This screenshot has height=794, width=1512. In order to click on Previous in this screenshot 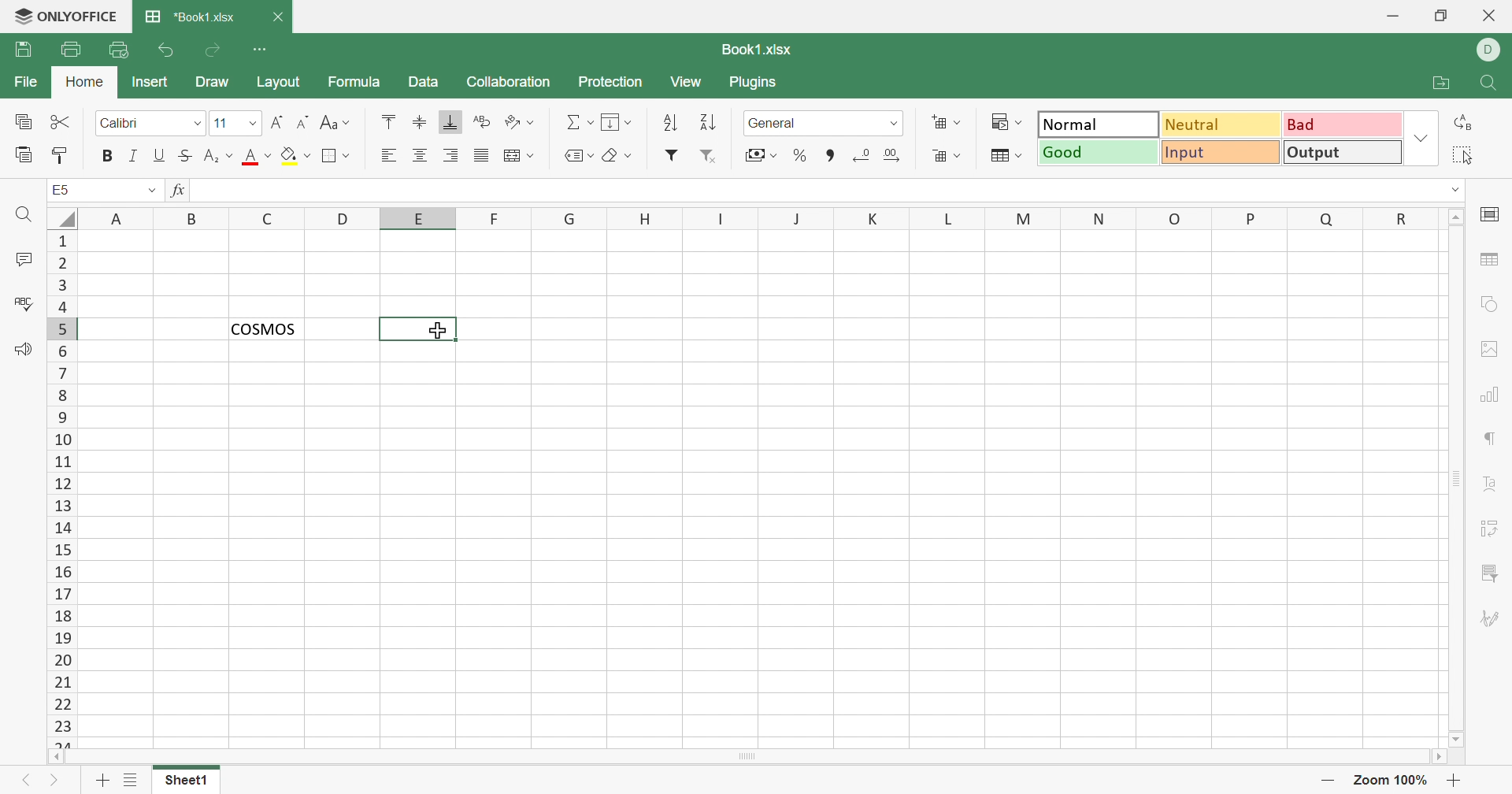, I will do `click(24, 781)`.